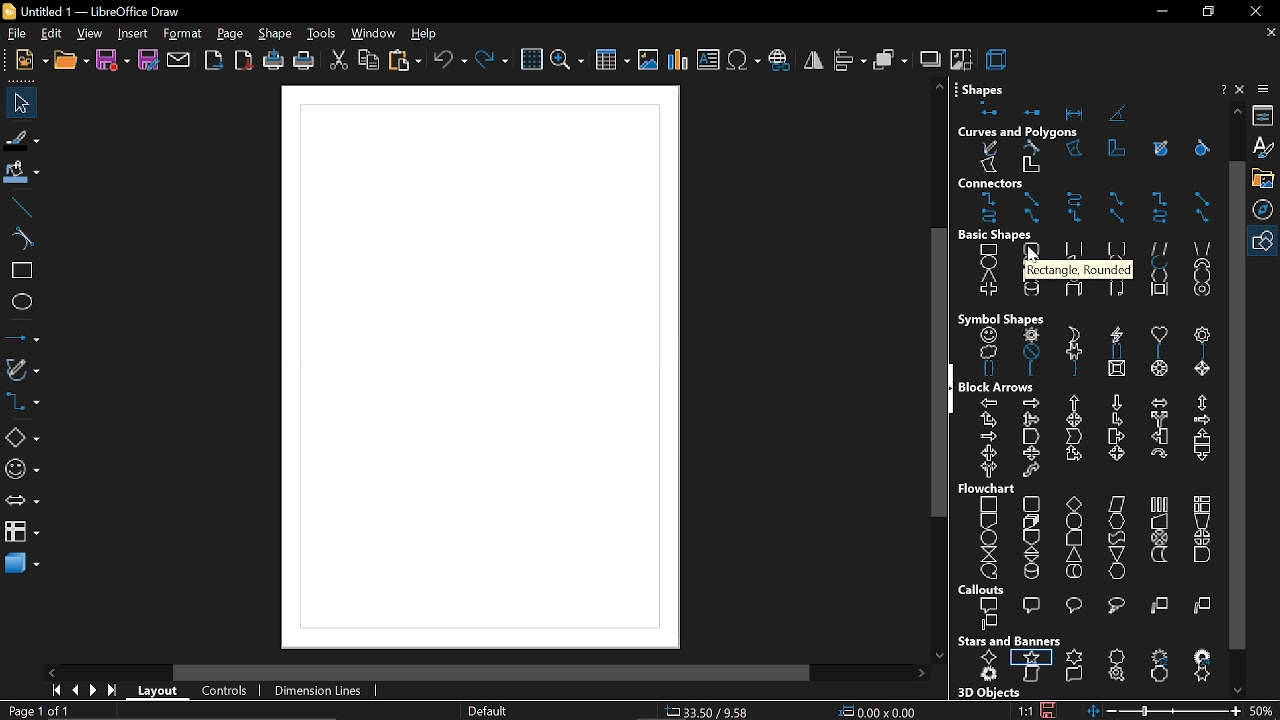 This screenshot has height=720, width=1280. What do you see at coordinates (160, 694) in the screenshot?
I see `layout` at bounding box center [160, 694].